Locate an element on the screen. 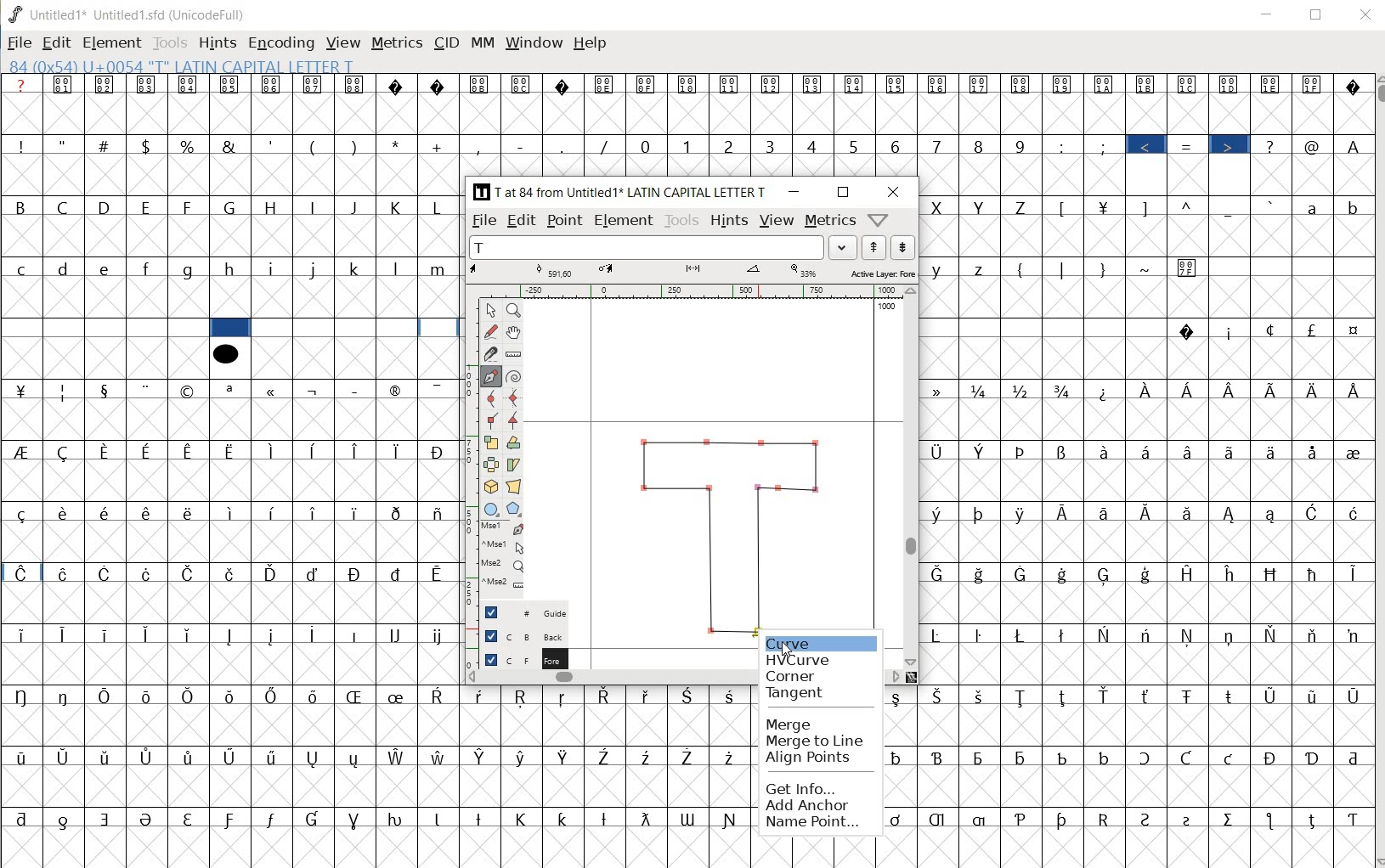 The width and height of the screenshot is (1385, 868). Symbol is located at coordinates (274, 512).